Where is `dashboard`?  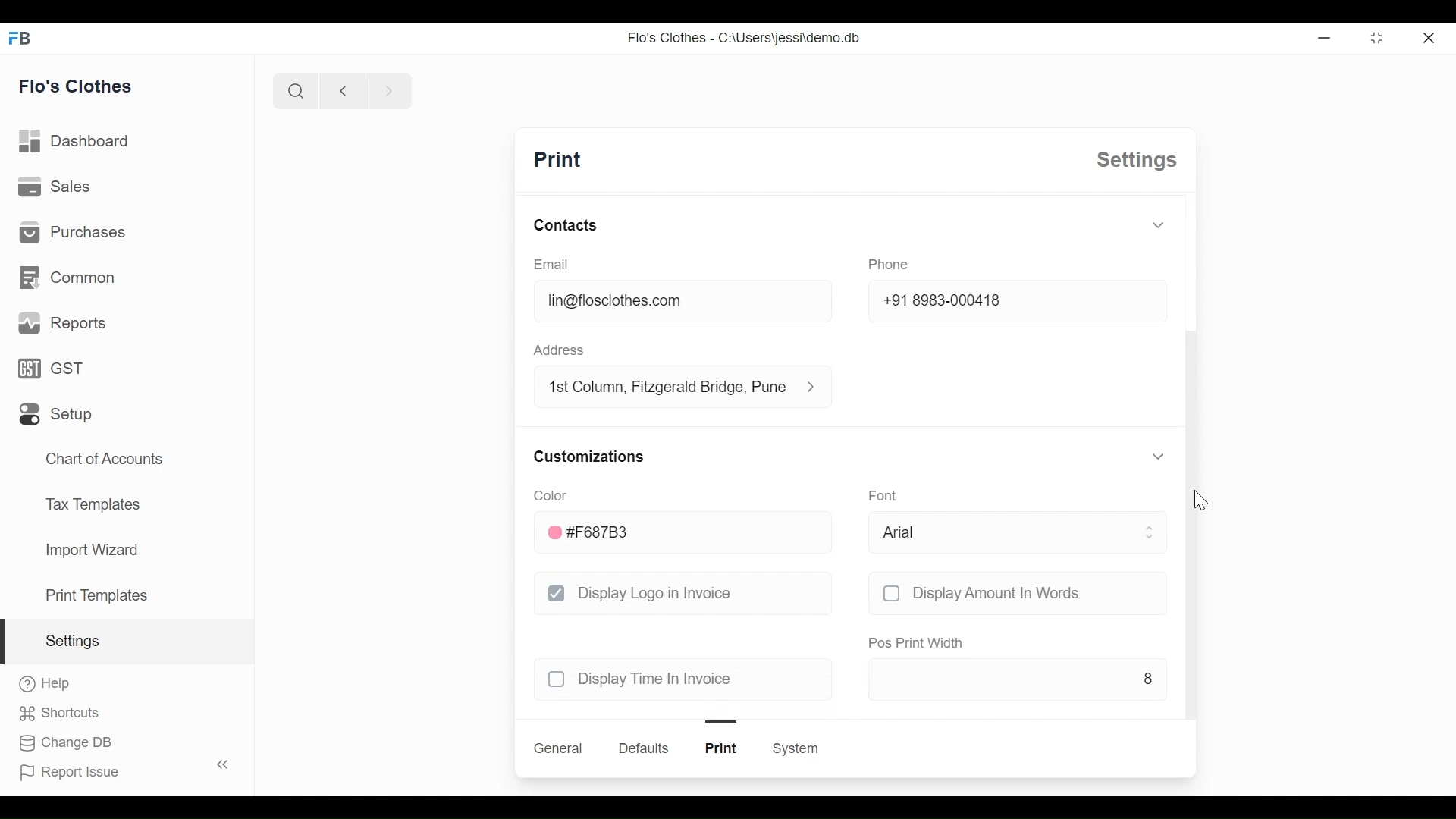 dashboard is located at coordinates (75, 141).